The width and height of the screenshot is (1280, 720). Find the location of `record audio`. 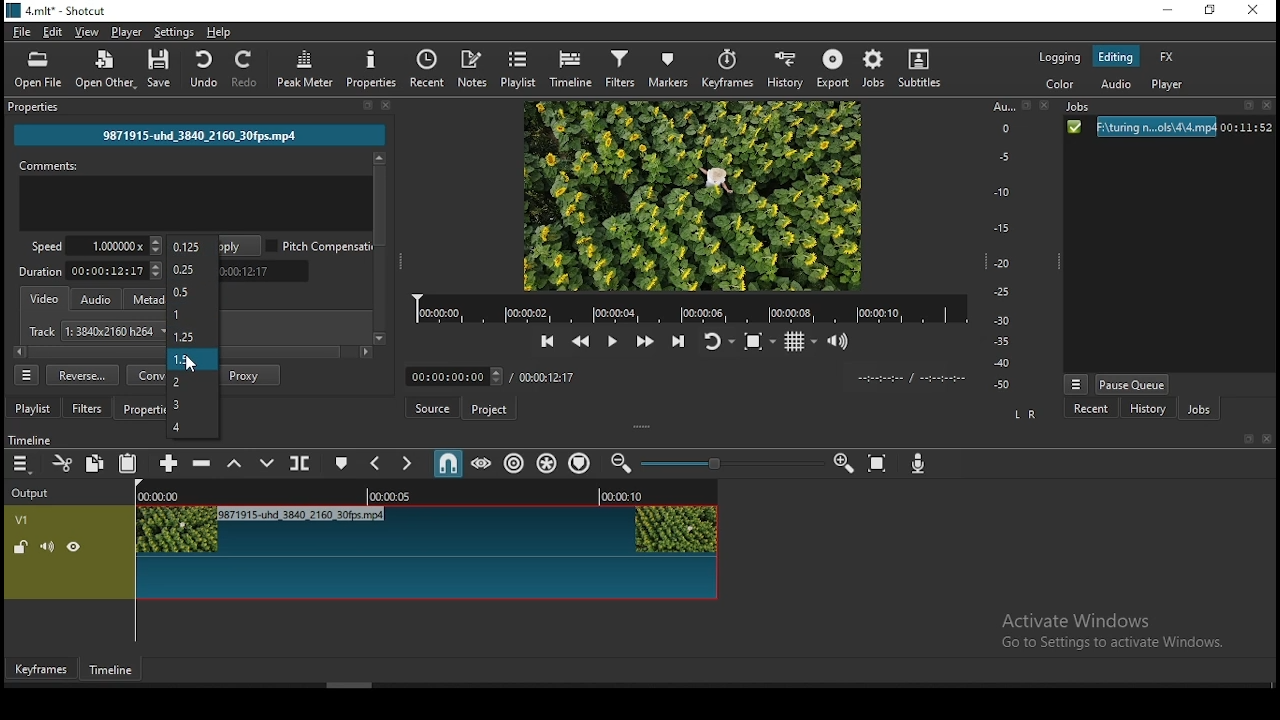

record audio is located at coordinates (922, 464).